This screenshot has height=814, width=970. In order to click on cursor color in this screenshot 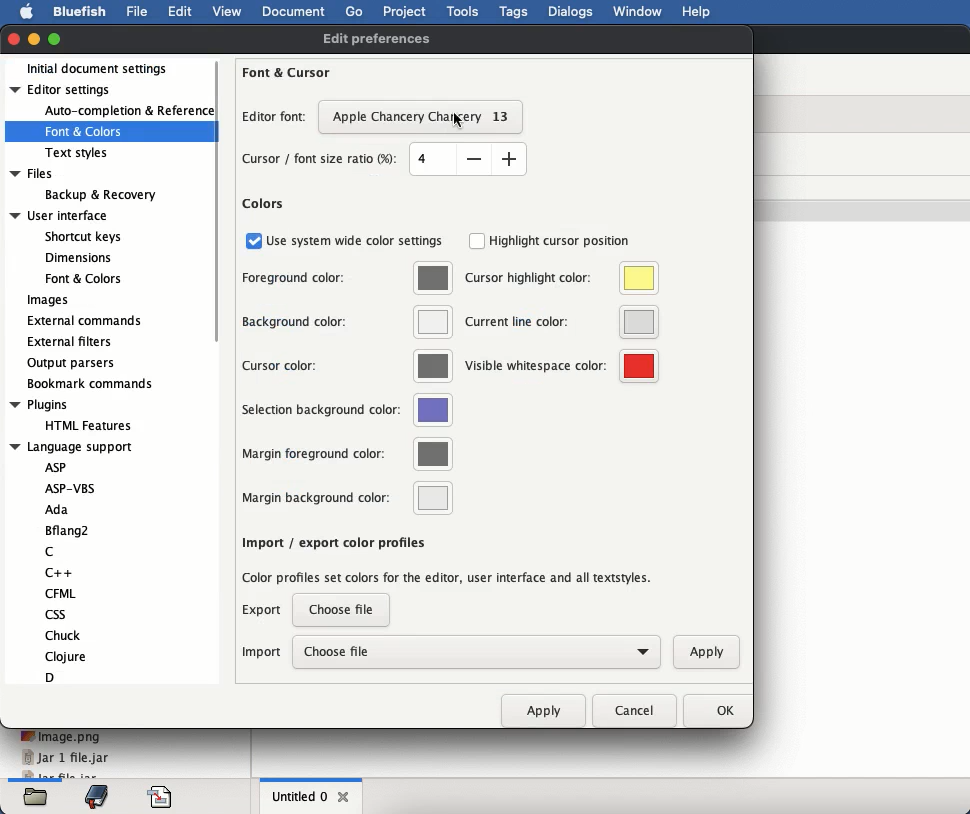, I will do `click(346, 365)`.